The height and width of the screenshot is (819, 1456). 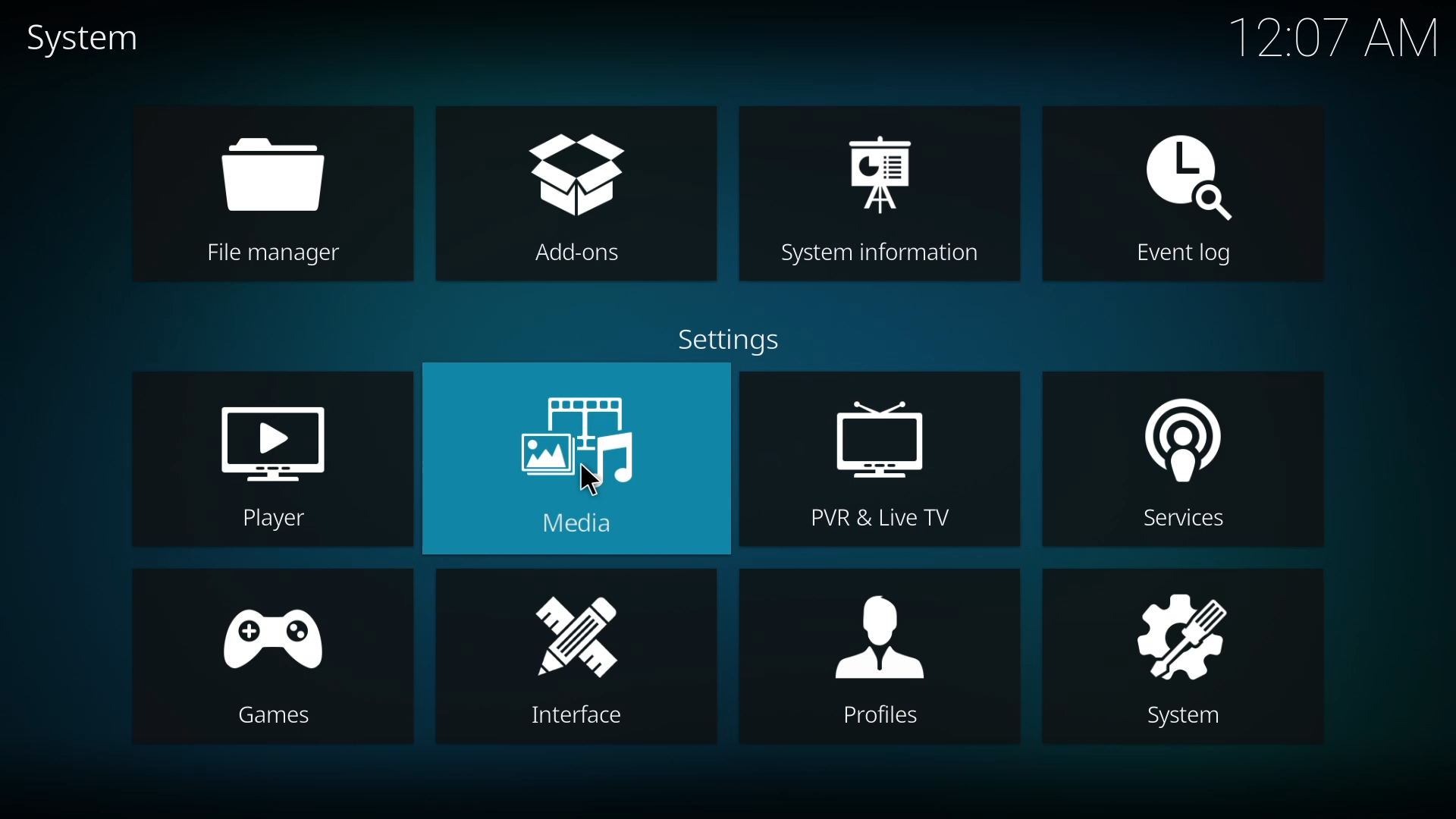 I want to click on services, so click(x=1181, y=460).